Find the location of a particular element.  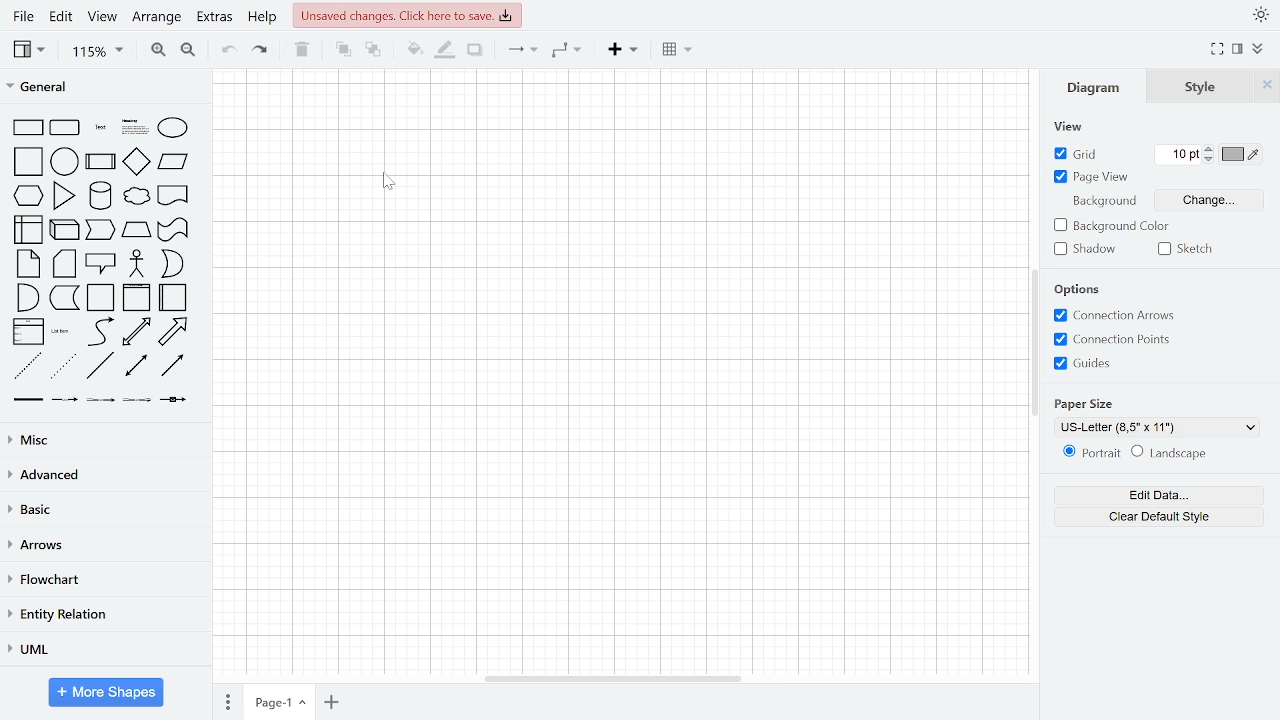

help is located at coordinates (262, 18).